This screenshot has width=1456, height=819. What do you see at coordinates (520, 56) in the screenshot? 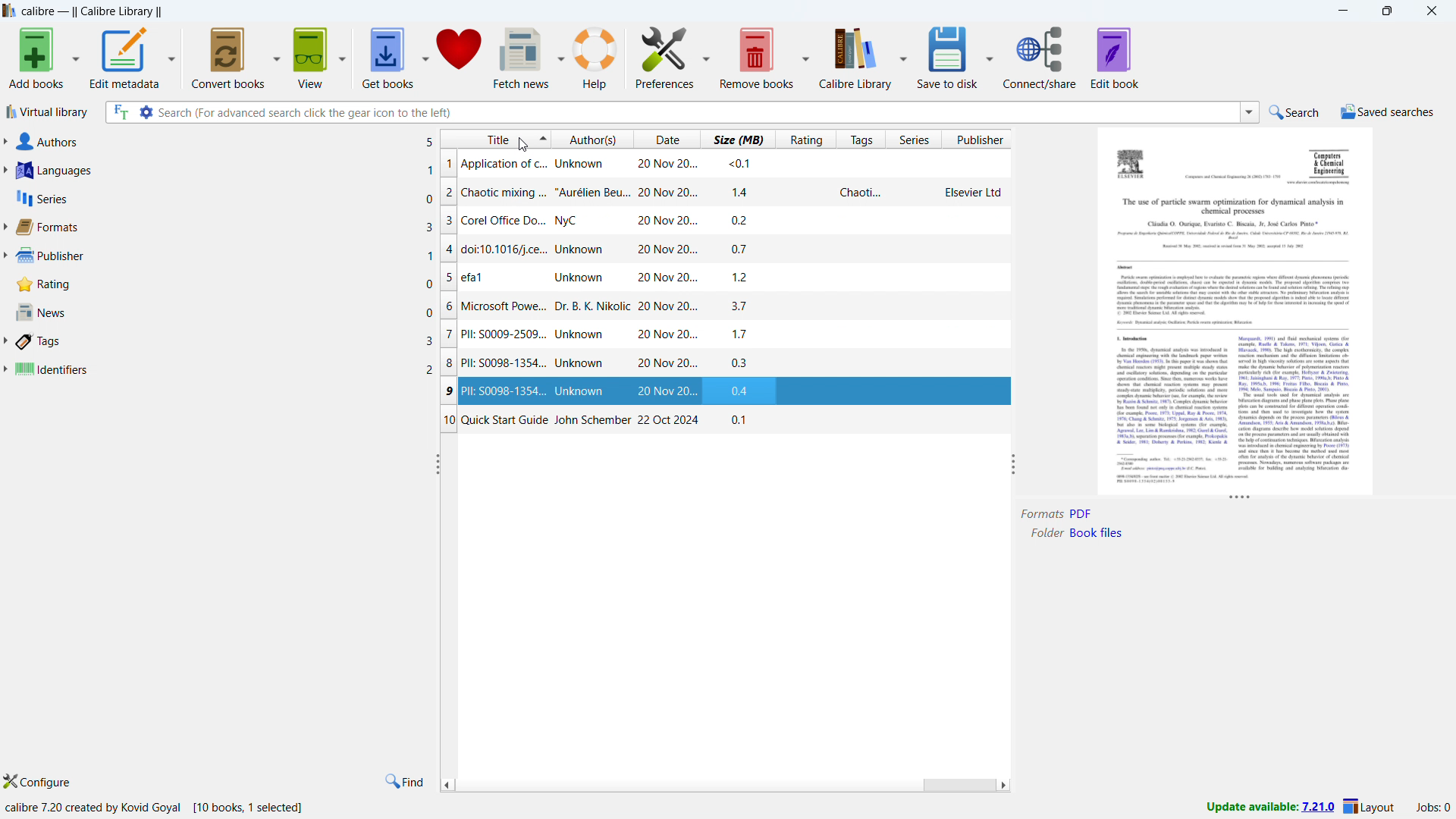
I see `fetch news` at bounding box center [520, 56].